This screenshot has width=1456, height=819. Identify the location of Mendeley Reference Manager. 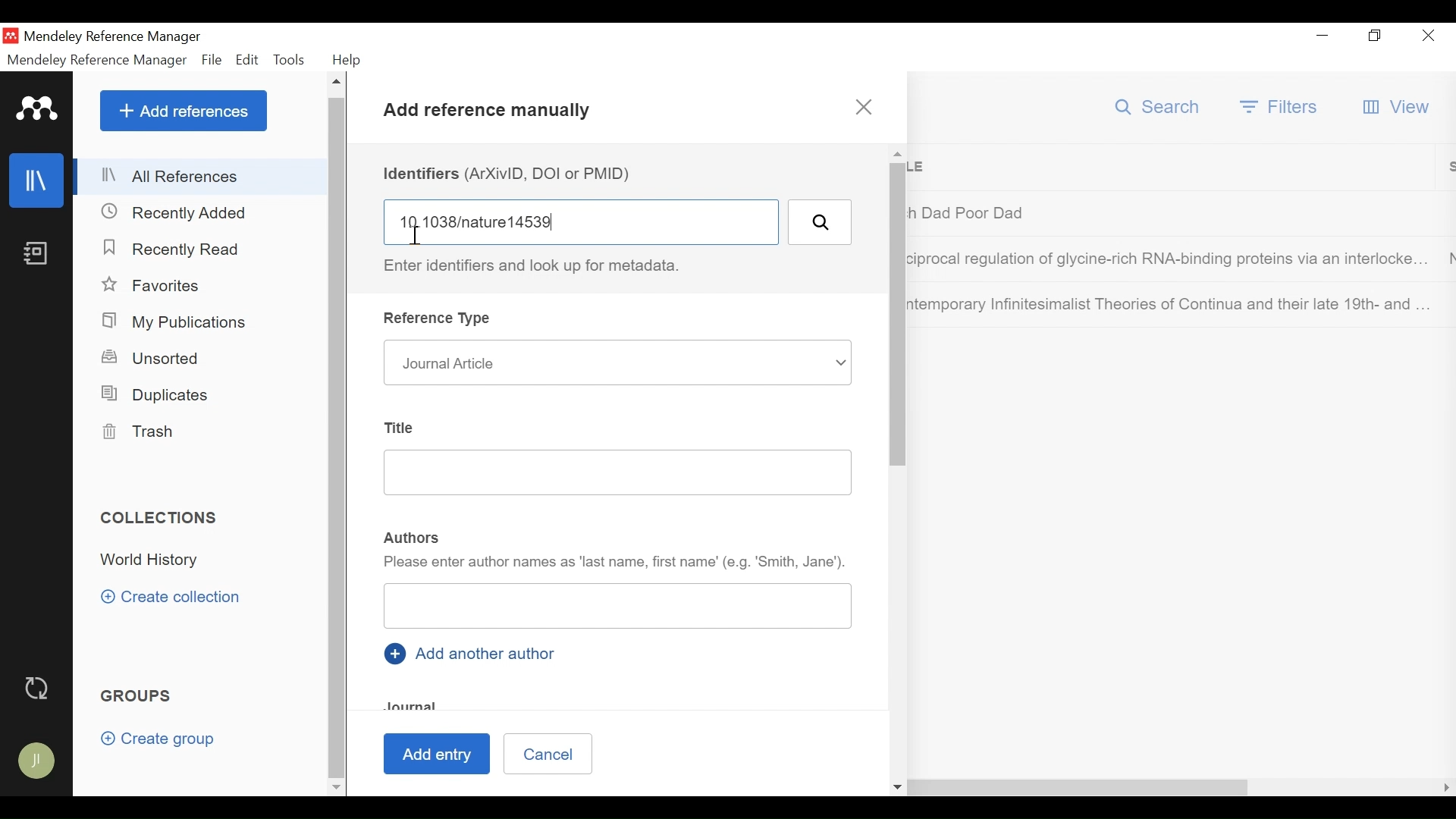
(118, 36).